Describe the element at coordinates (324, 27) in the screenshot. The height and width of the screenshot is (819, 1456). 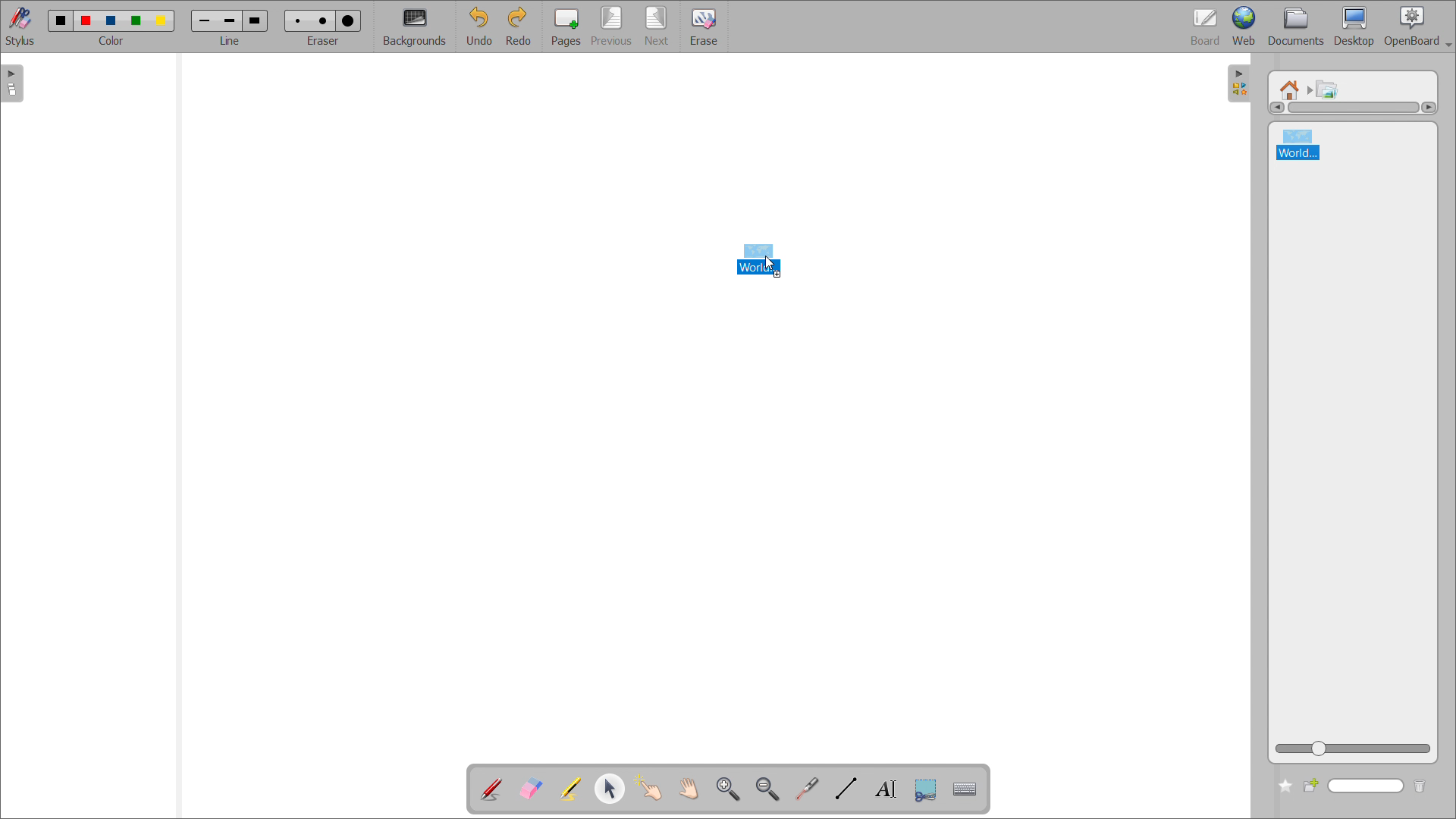
I see `select eraser size` at that location.